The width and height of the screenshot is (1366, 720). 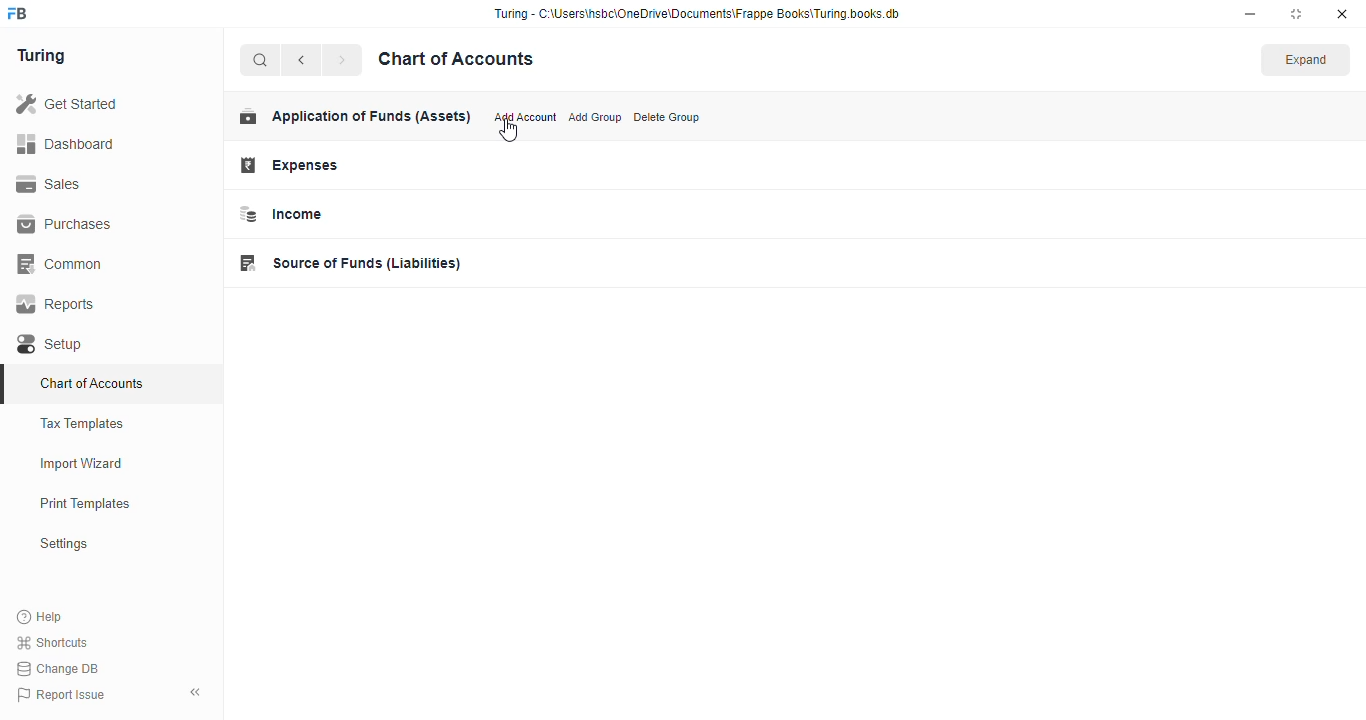 I want to click on application of funds (assets), so click(x=355, y=116).